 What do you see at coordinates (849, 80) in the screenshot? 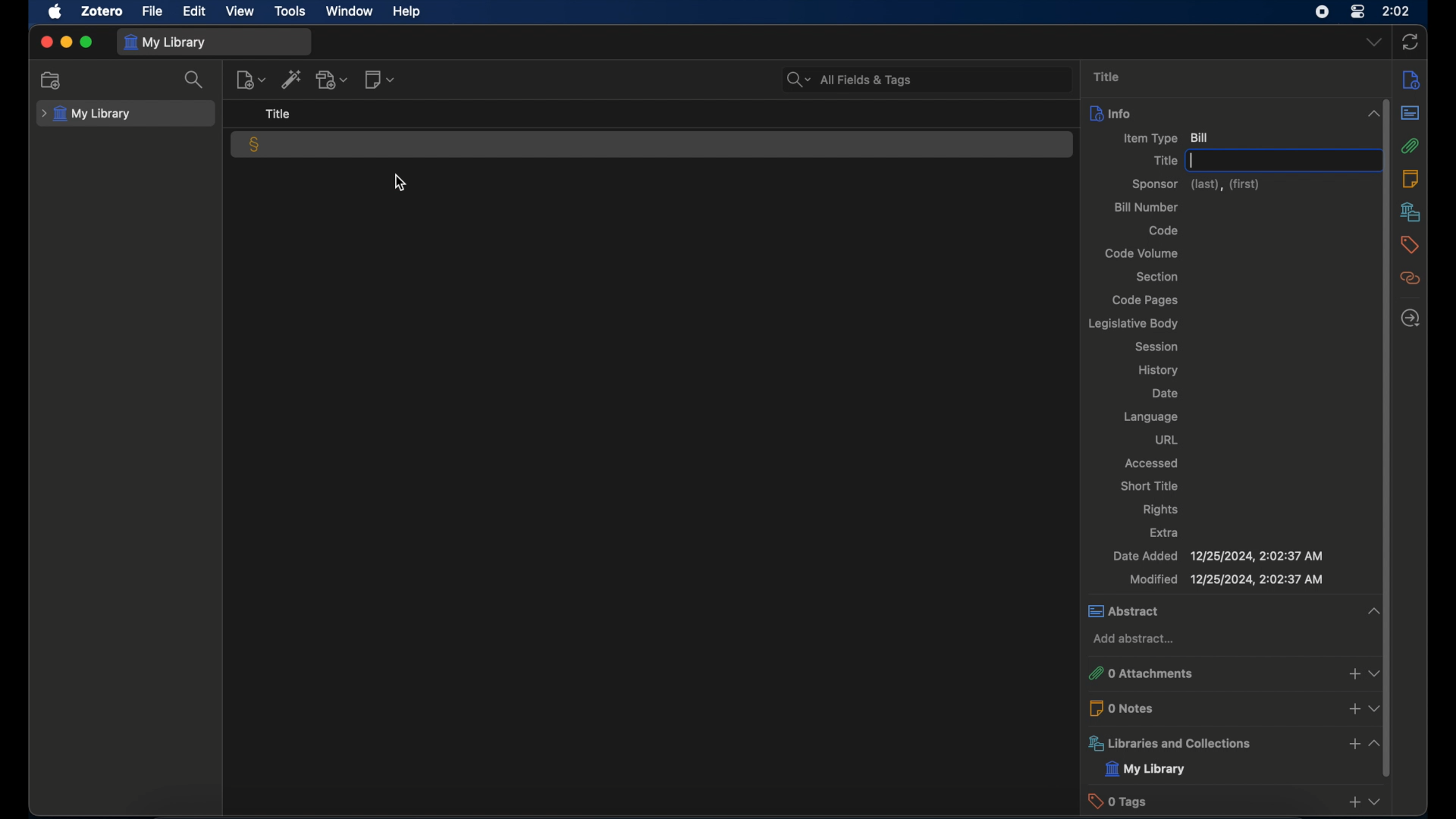
I see `search` at bounding box center [849, 80].